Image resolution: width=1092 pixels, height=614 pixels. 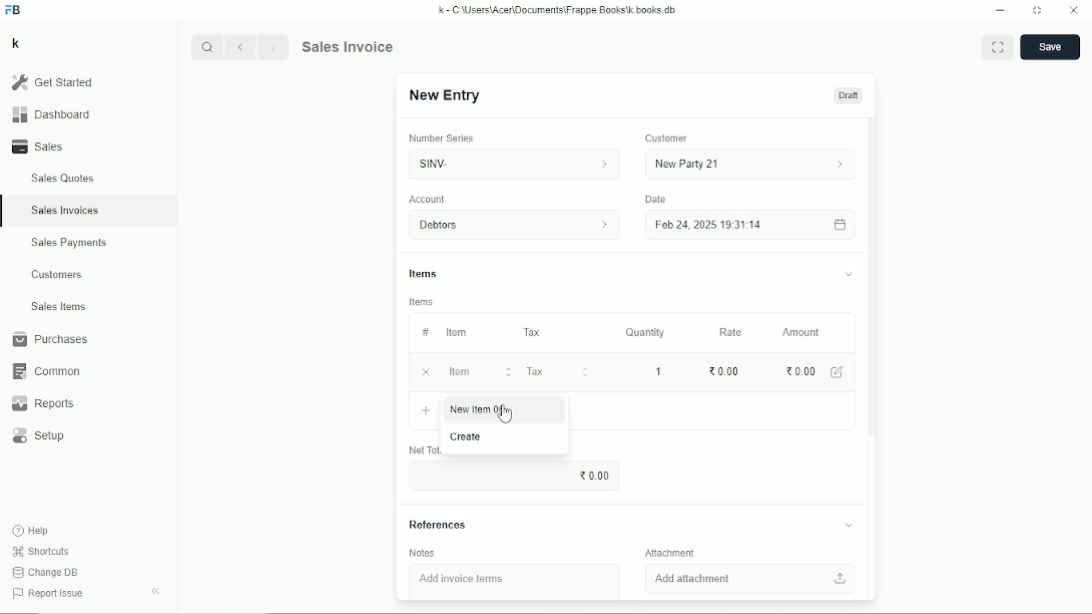 I want to click on Sales invoices, so click(x=64, y=210).